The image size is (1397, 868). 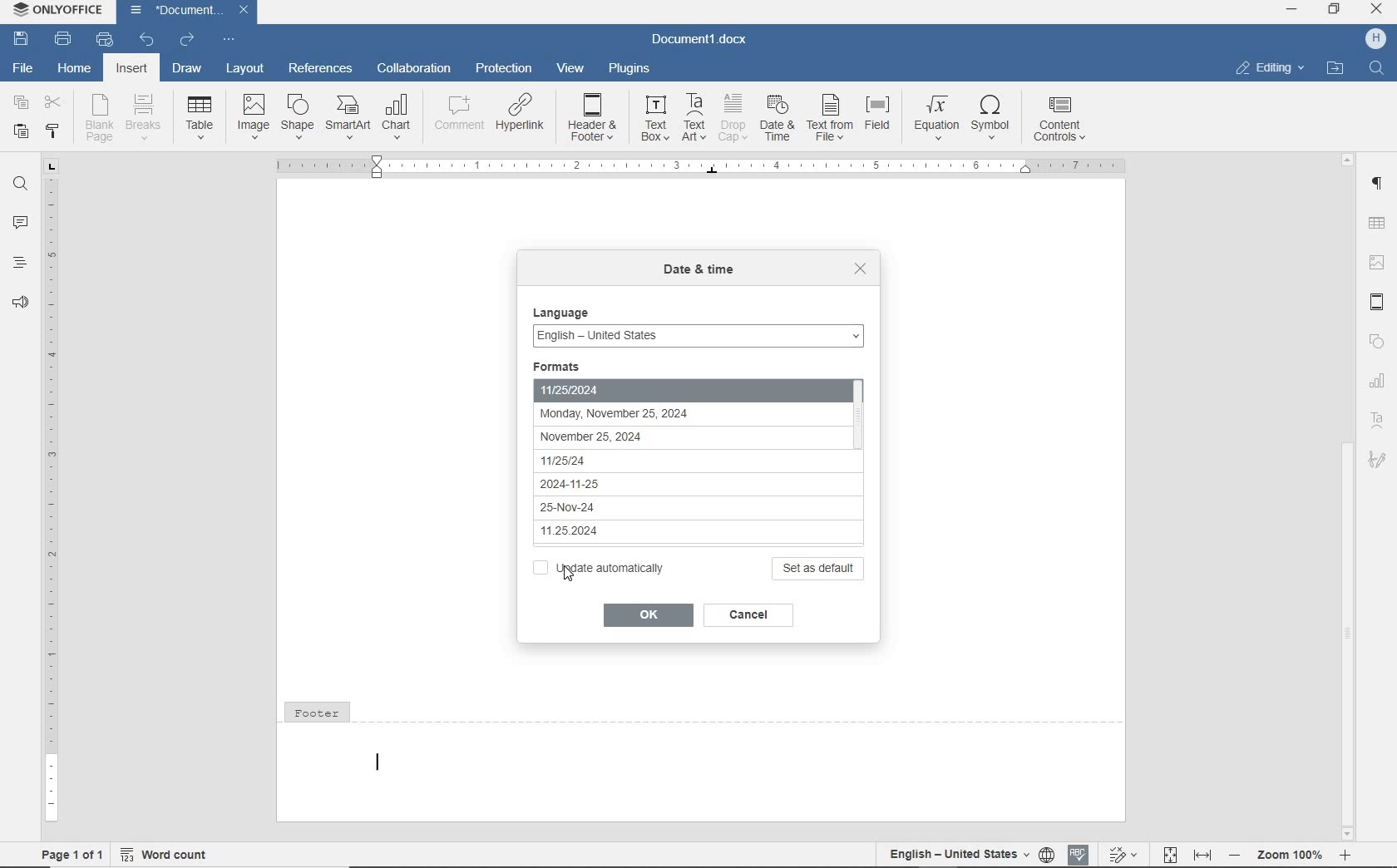 I want to click on chart, so click(x=398, y=115).